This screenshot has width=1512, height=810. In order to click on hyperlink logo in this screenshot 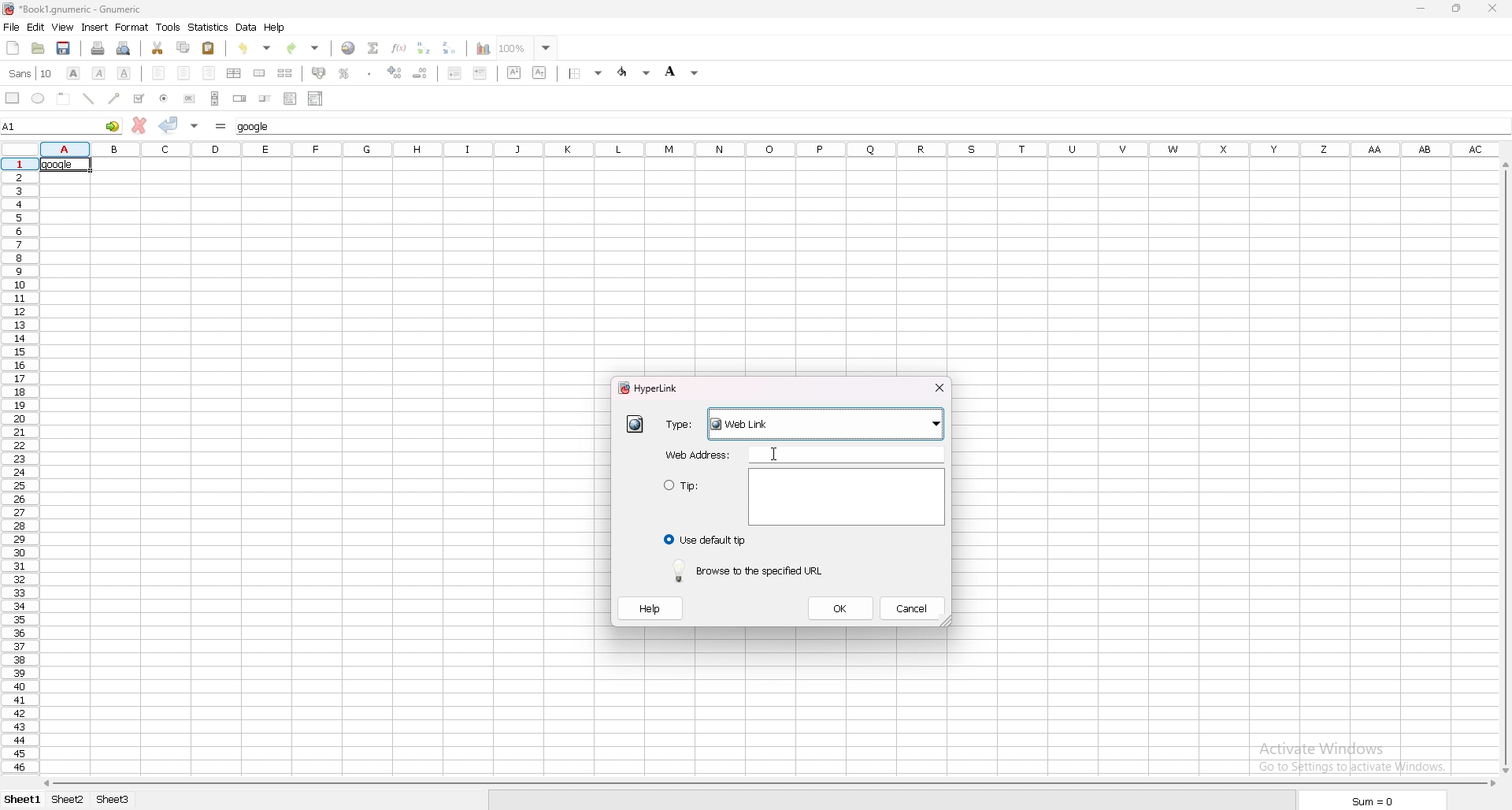, I will do `click(9, 9)`.